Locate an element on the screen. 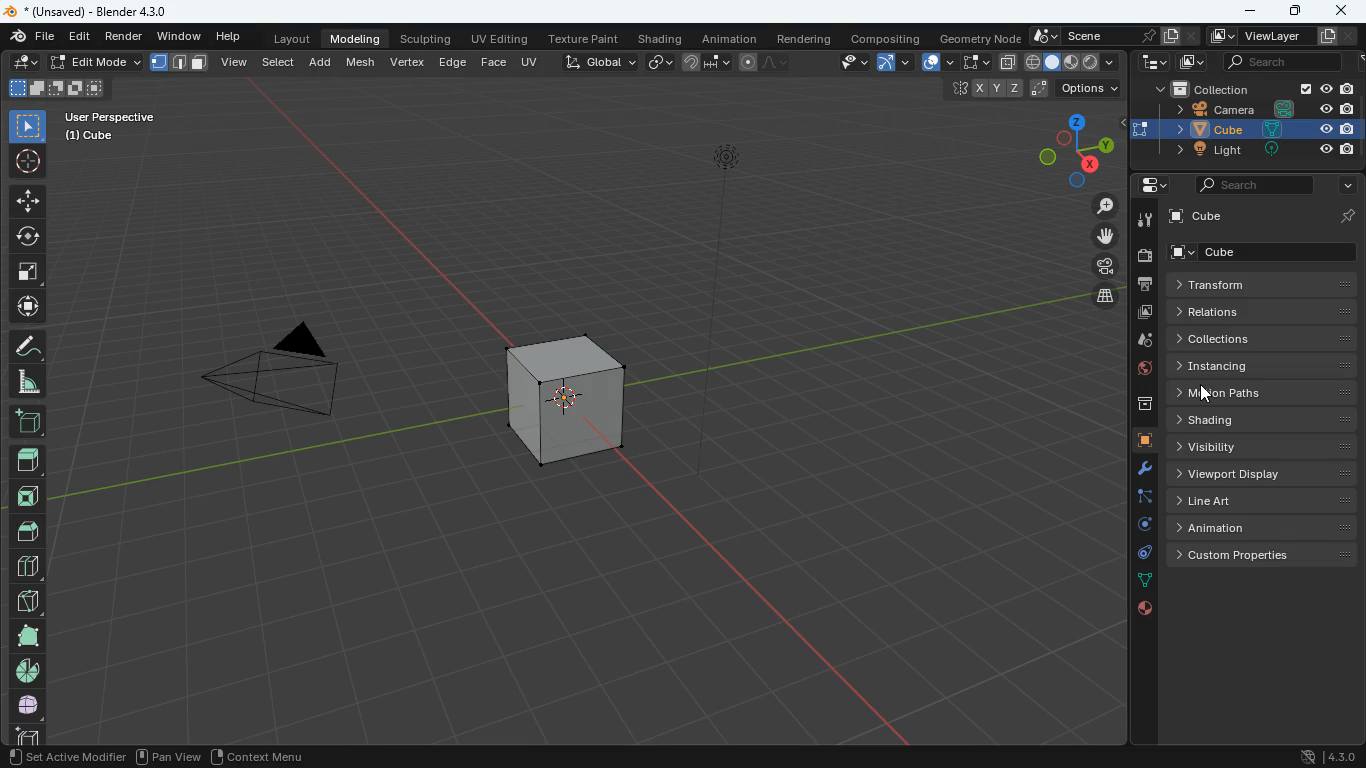  viewport display is located at coordinates (1268, 471).